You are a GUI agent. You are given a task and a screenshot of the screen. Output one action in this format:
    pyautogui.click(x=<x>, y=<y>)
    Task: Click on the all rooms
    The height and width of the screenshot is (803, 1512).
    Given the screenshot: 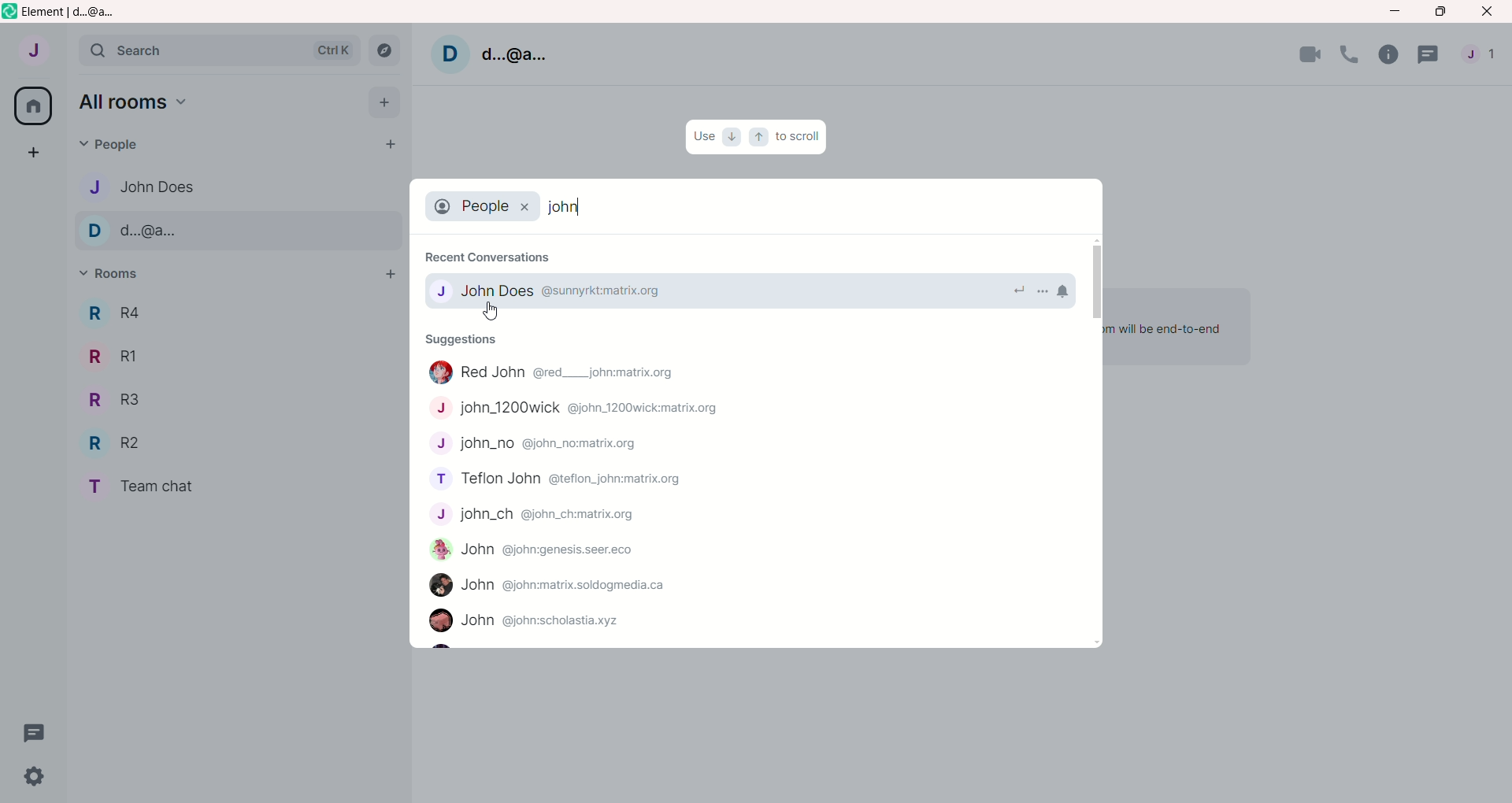 What is the action you would take?
    pyautogui.click(x=30, y=105)
    